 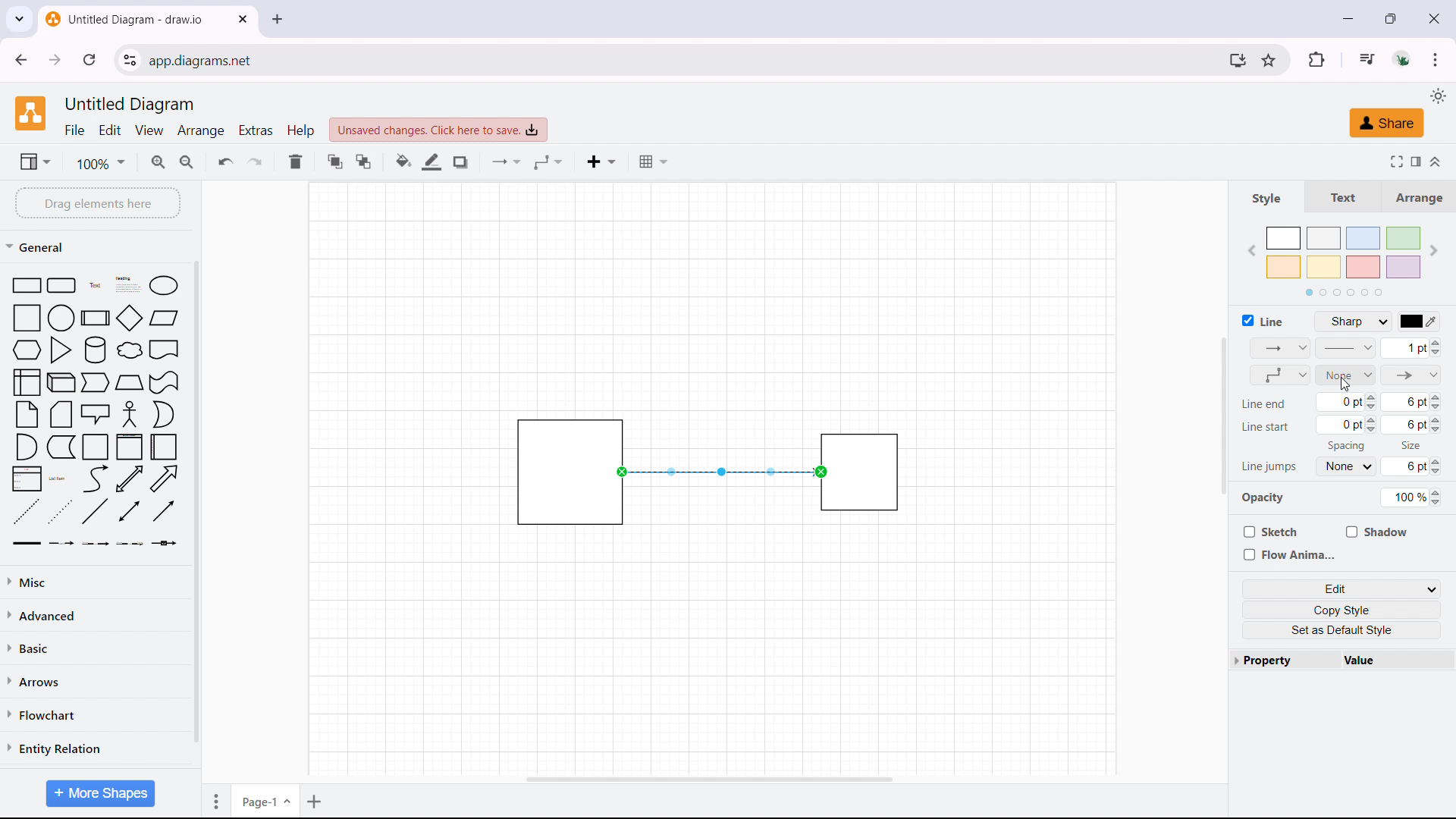 What do you see at coordinates (1381, 425) in the screenshot?
I see `line start size` at bounding box center [1381, 425].